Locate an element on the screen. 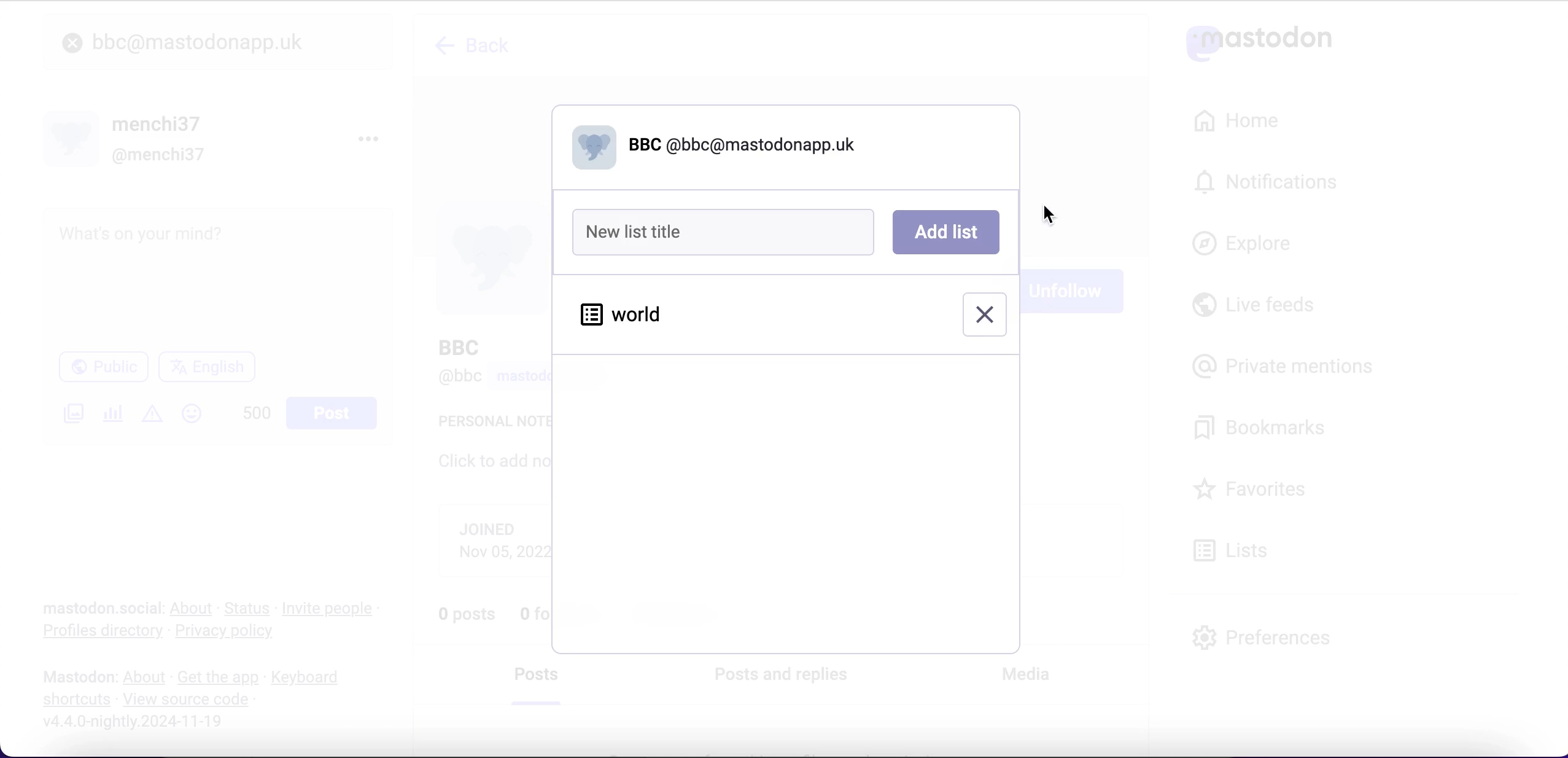 The image size is (1568, 758). add content warning is located at coordinates (155, 415).